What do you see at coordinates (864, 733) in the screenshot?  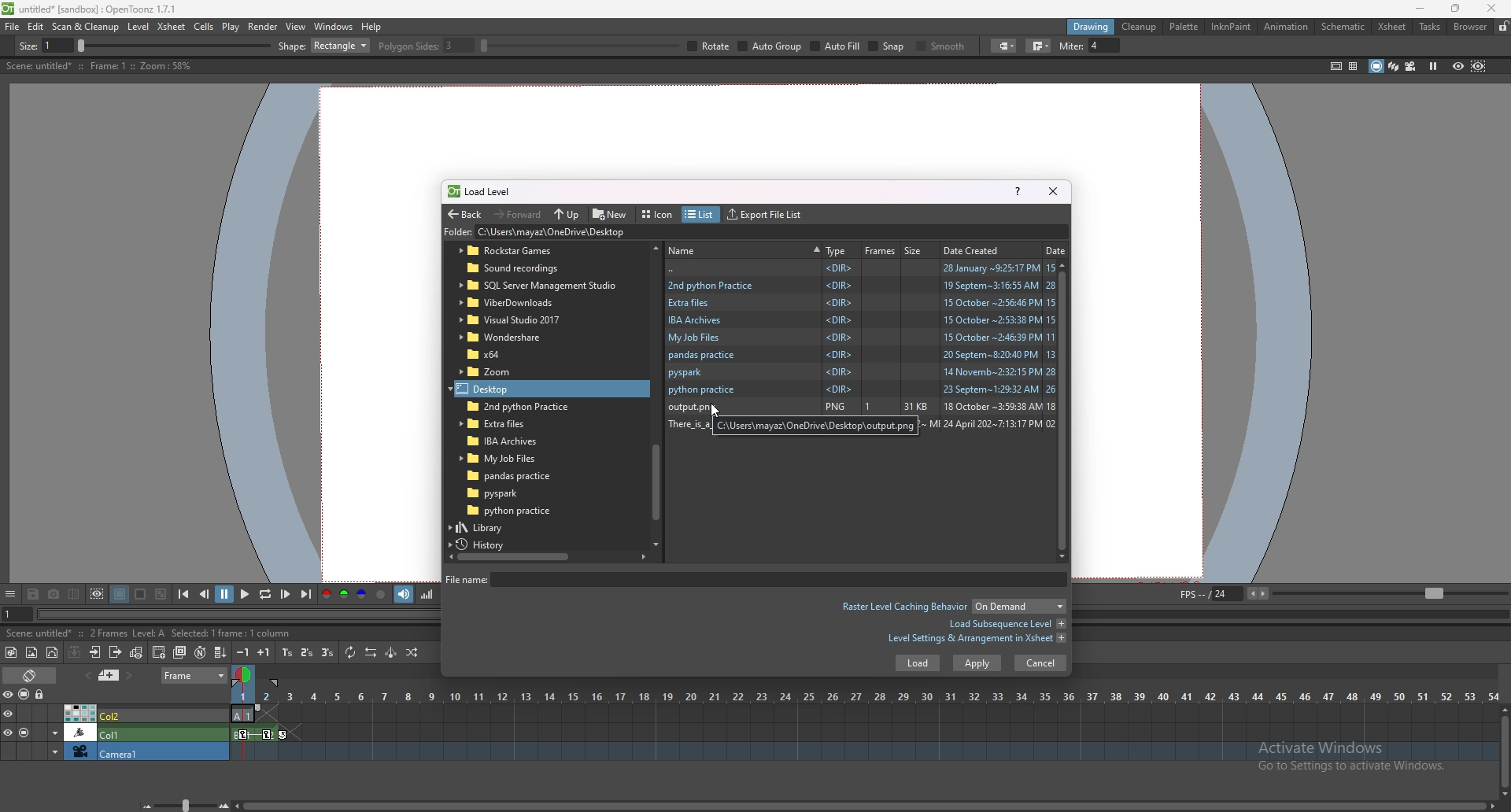 I see `timeline` at bounding box center [864, 733].